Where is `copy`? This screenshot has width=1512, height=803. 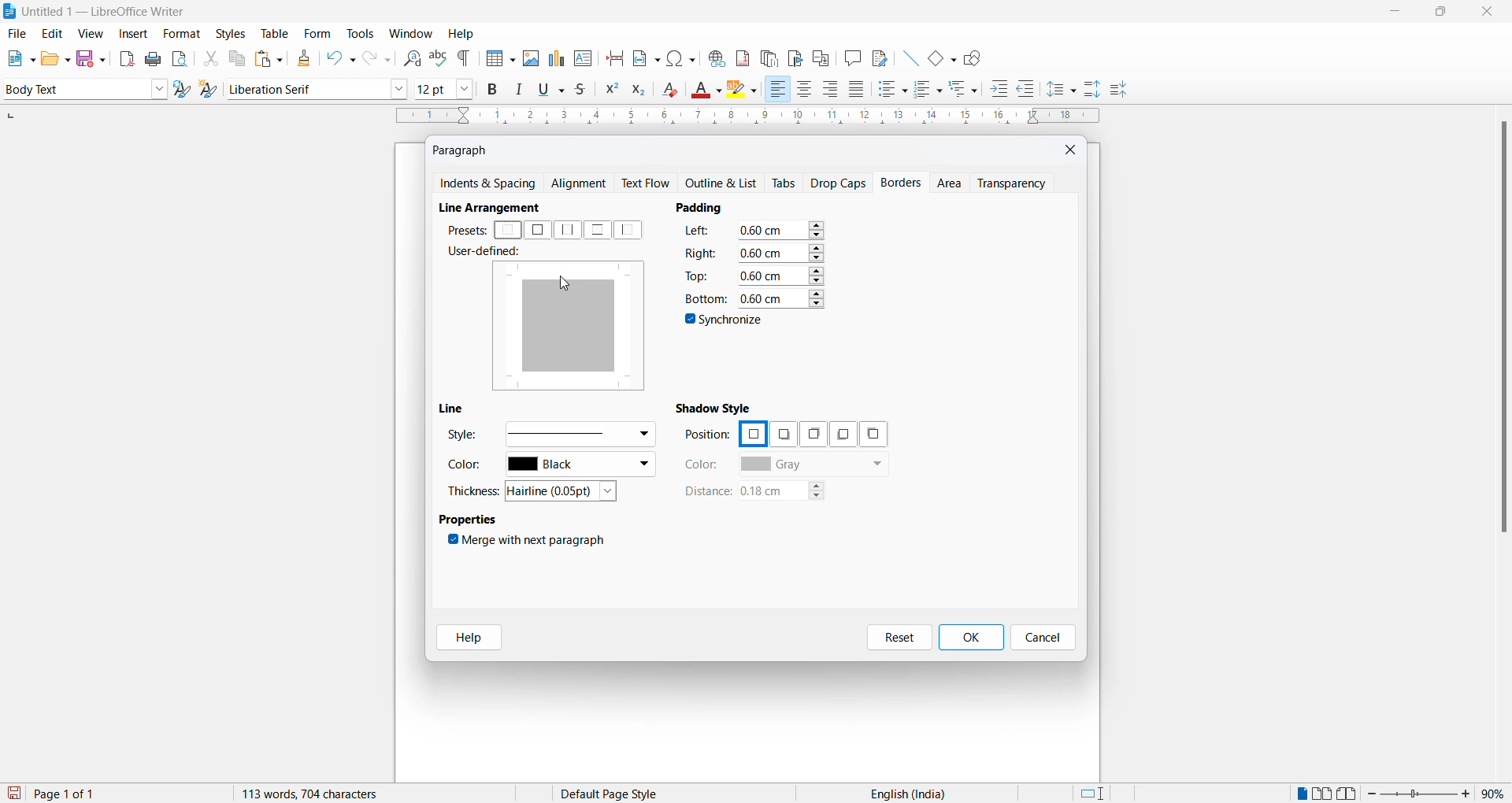 copy is located at coordinates (235, 58).